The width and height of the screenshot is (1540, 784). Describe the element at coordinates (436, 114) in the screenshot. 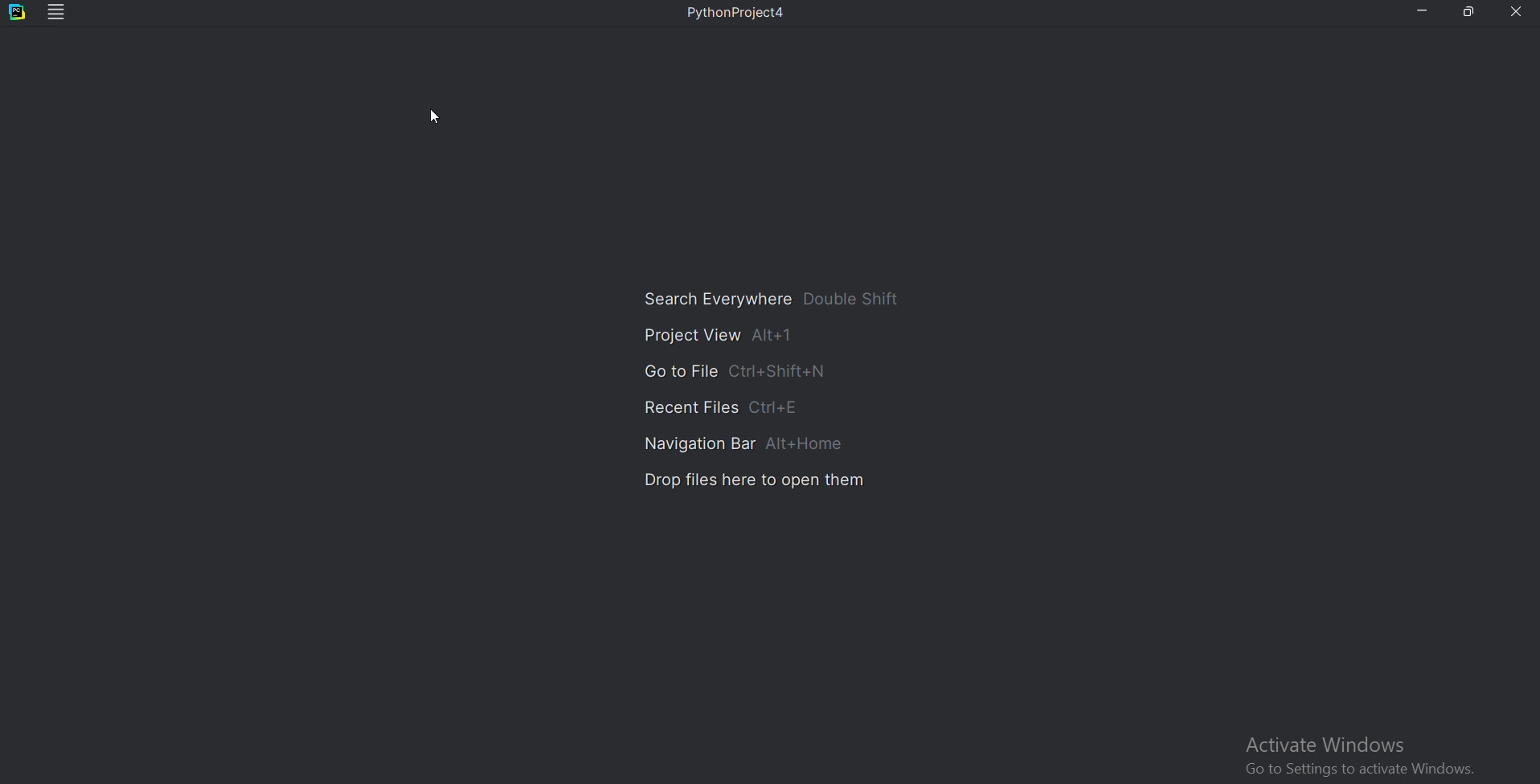

I see `Cursor` at that location.